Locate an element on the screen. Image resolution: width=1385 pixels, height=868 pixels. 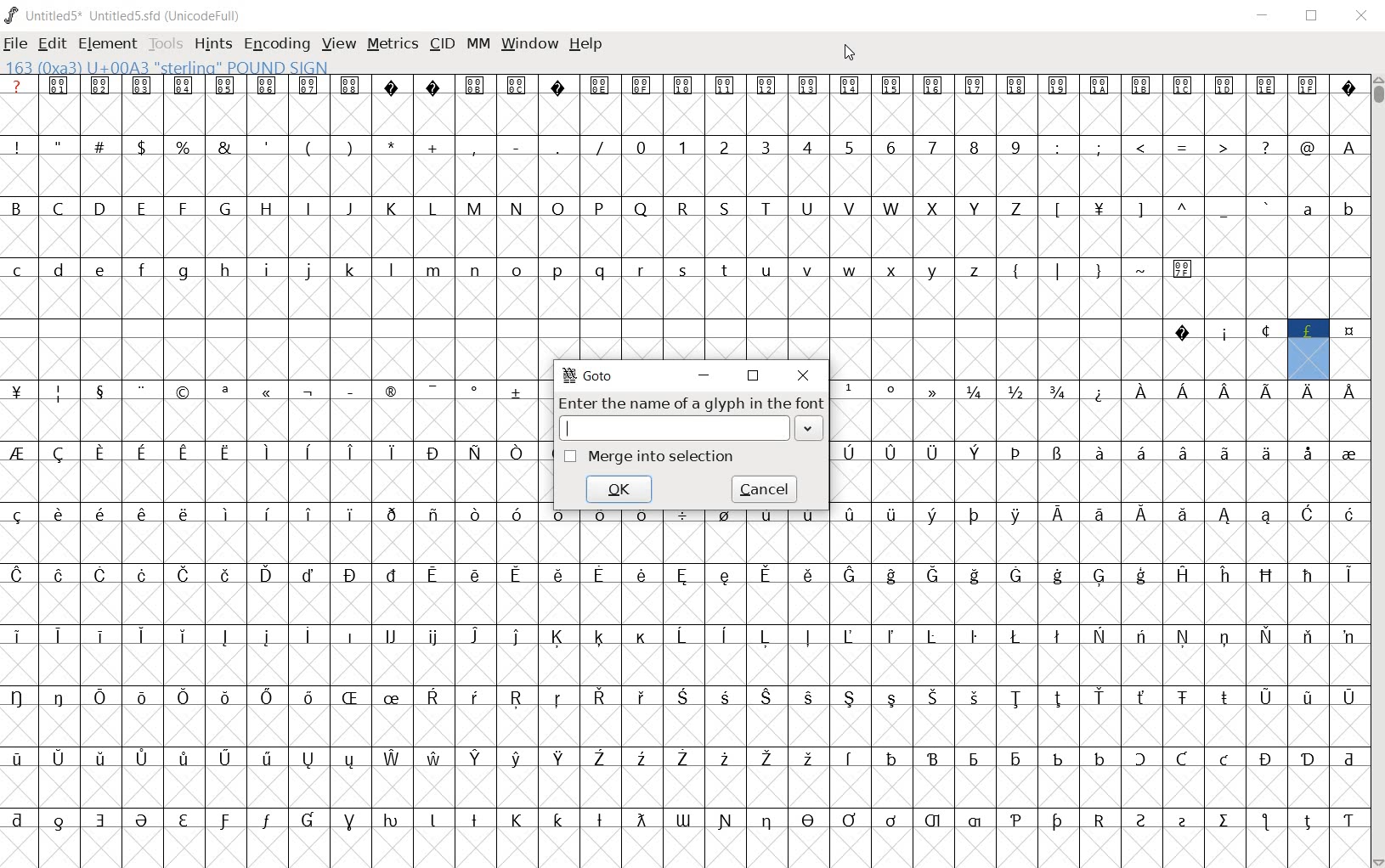
GoTo is located at coordinates (588, 374).